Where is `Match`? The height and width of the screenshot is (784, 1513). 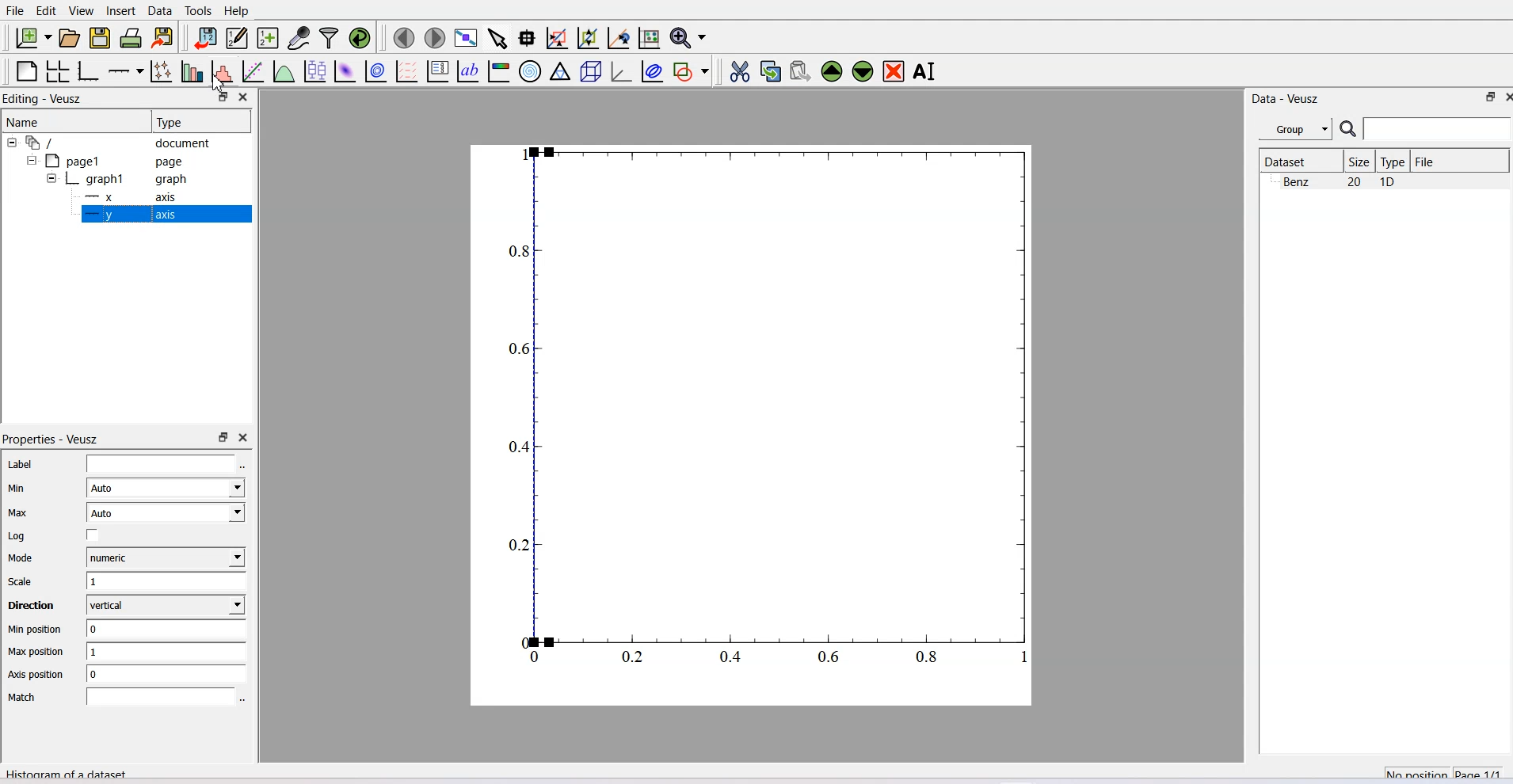
Match is located at coordinates (124, 696).